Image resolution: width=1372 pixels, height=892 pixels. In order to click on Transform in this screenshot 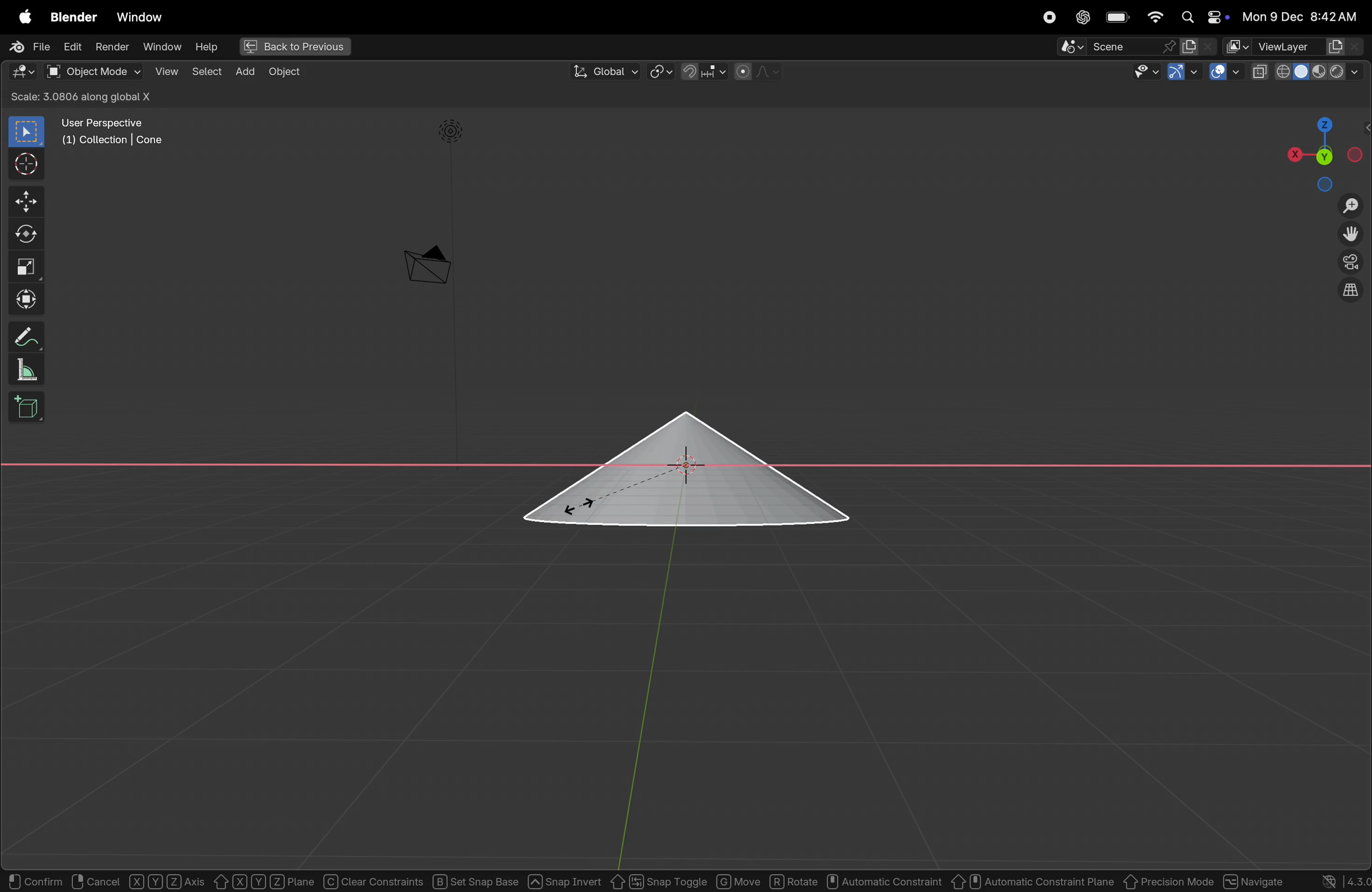, I will do `click(25, 298)`.